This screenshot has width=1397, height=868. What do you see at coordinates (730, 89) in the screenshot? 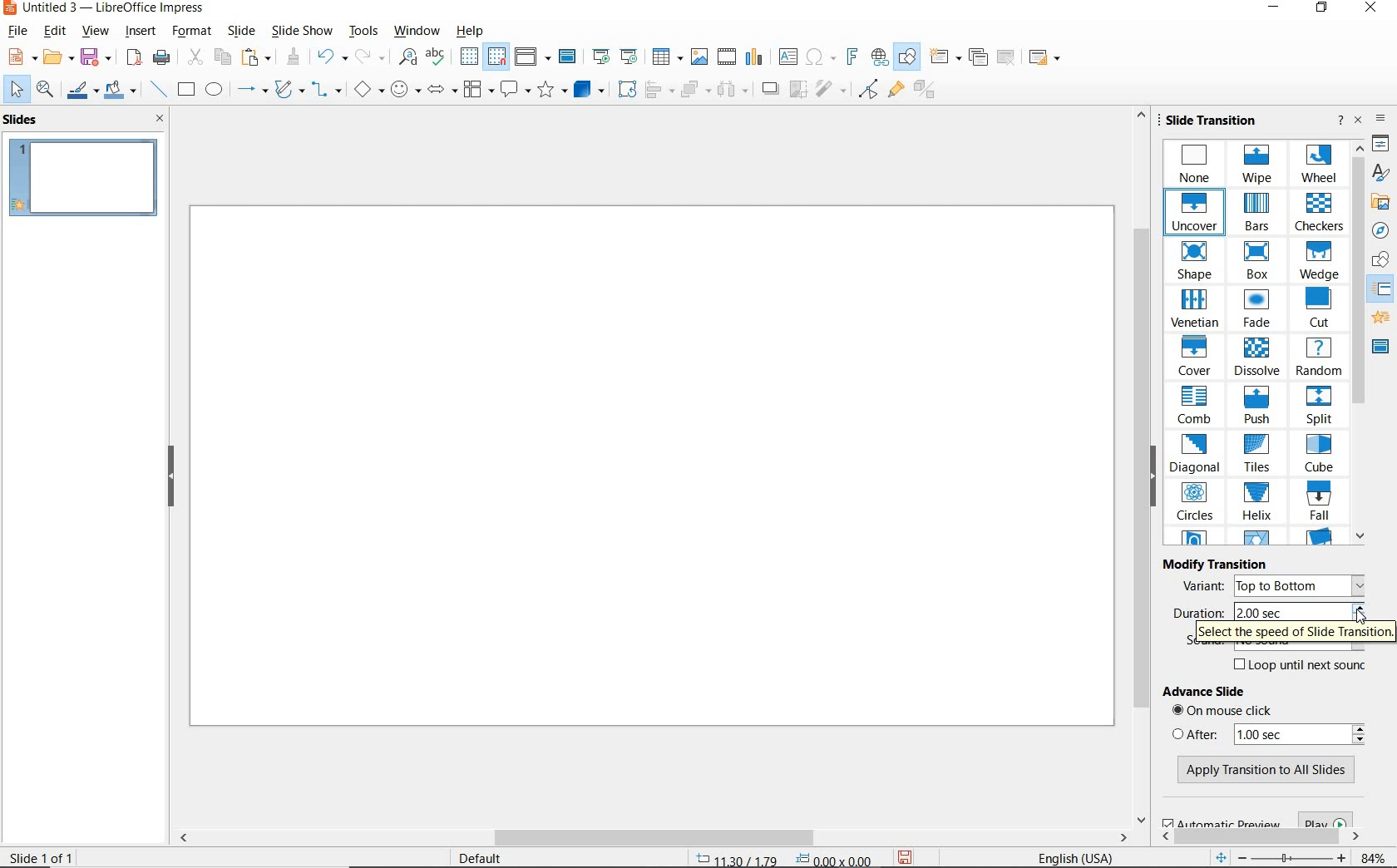
I see `3 OBJECTS TO DISTRIBUTE` at bounding box center [730, 89].